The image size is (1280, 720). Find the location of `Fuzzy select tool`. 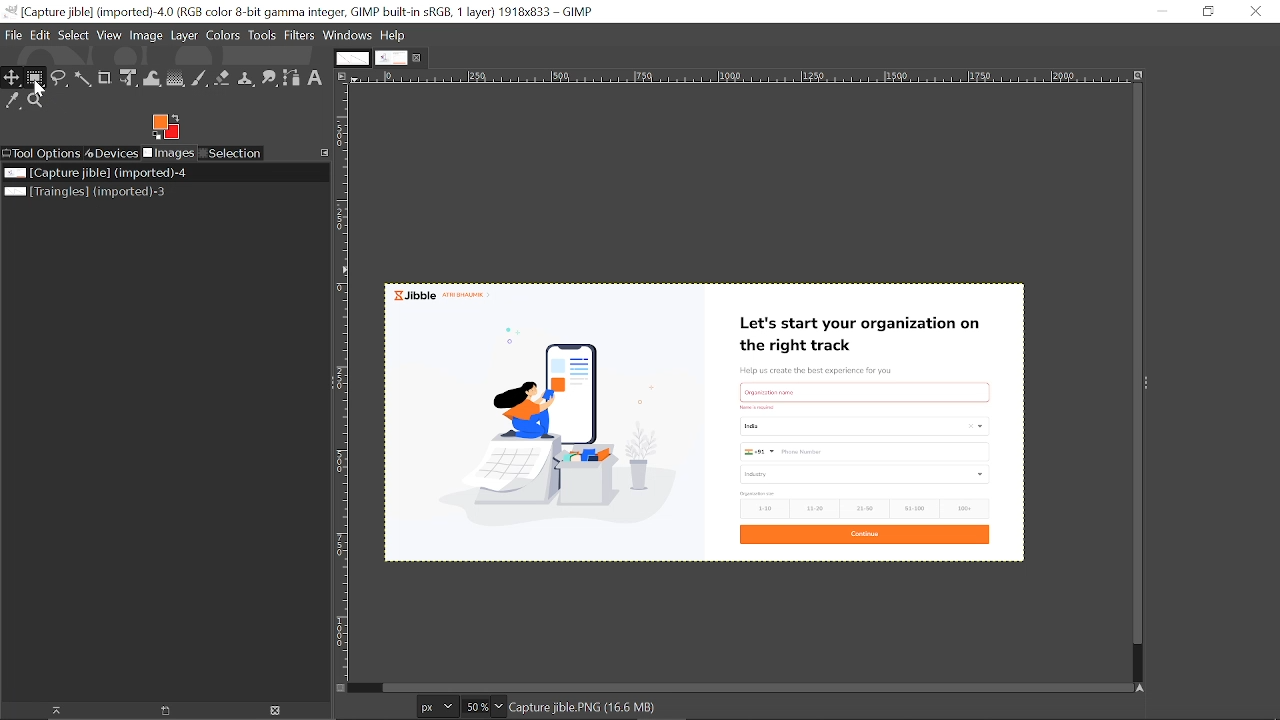

Fuzzy select tool is located at coordinates (82, 79).